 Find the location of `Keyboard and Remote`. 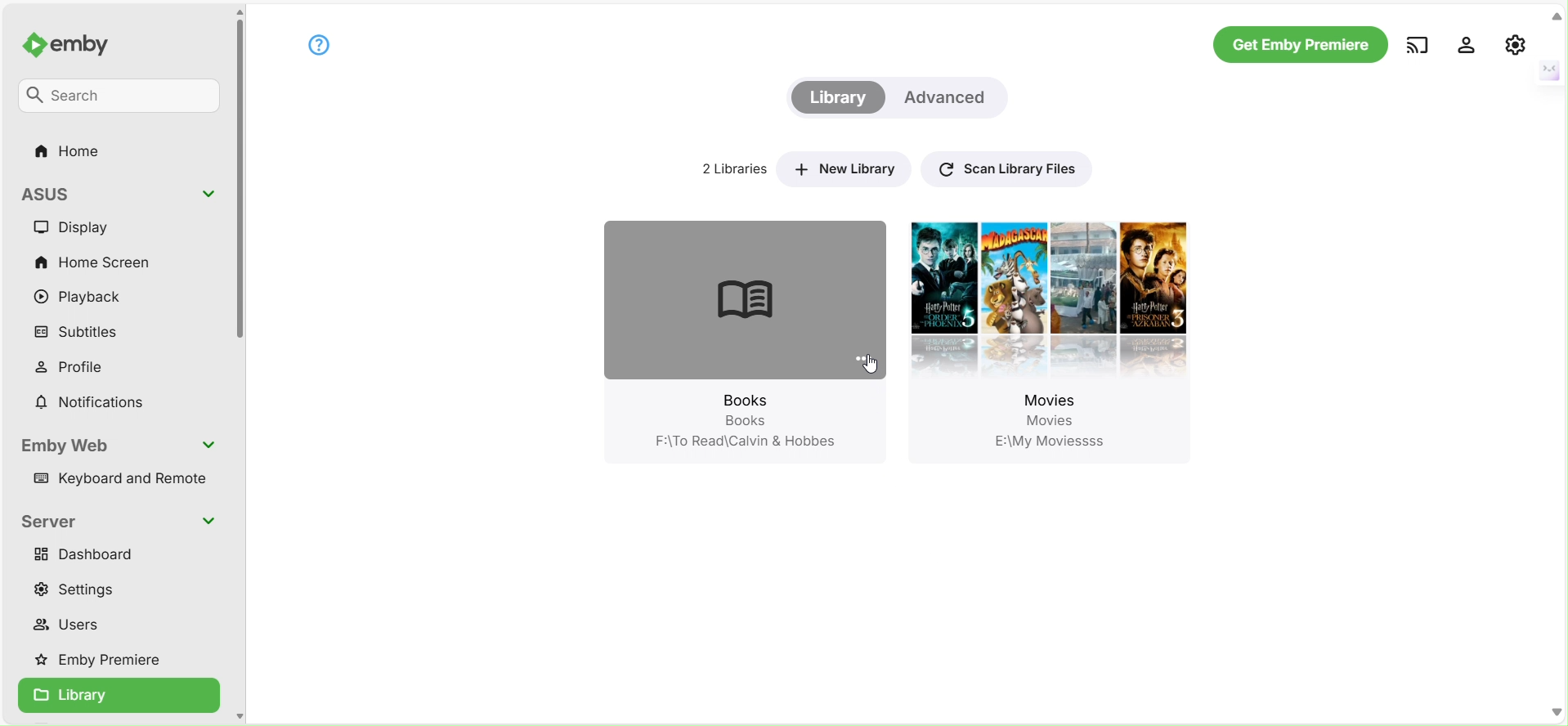

Keyboard and Remote is located at coordinates (124, 482).